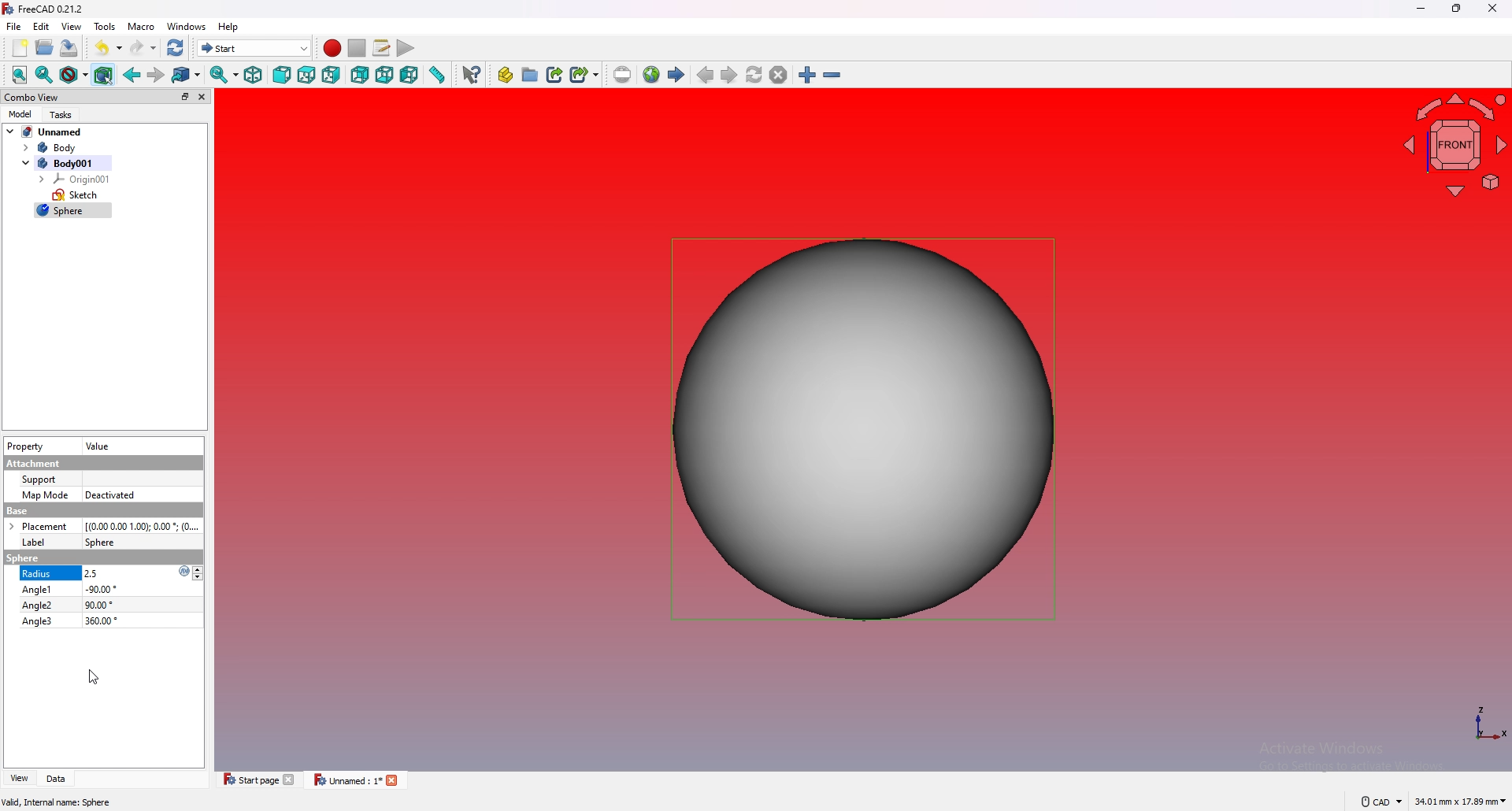 This screenshot has height=811, width=1512. I want to click on origin001, so click(76, 179).